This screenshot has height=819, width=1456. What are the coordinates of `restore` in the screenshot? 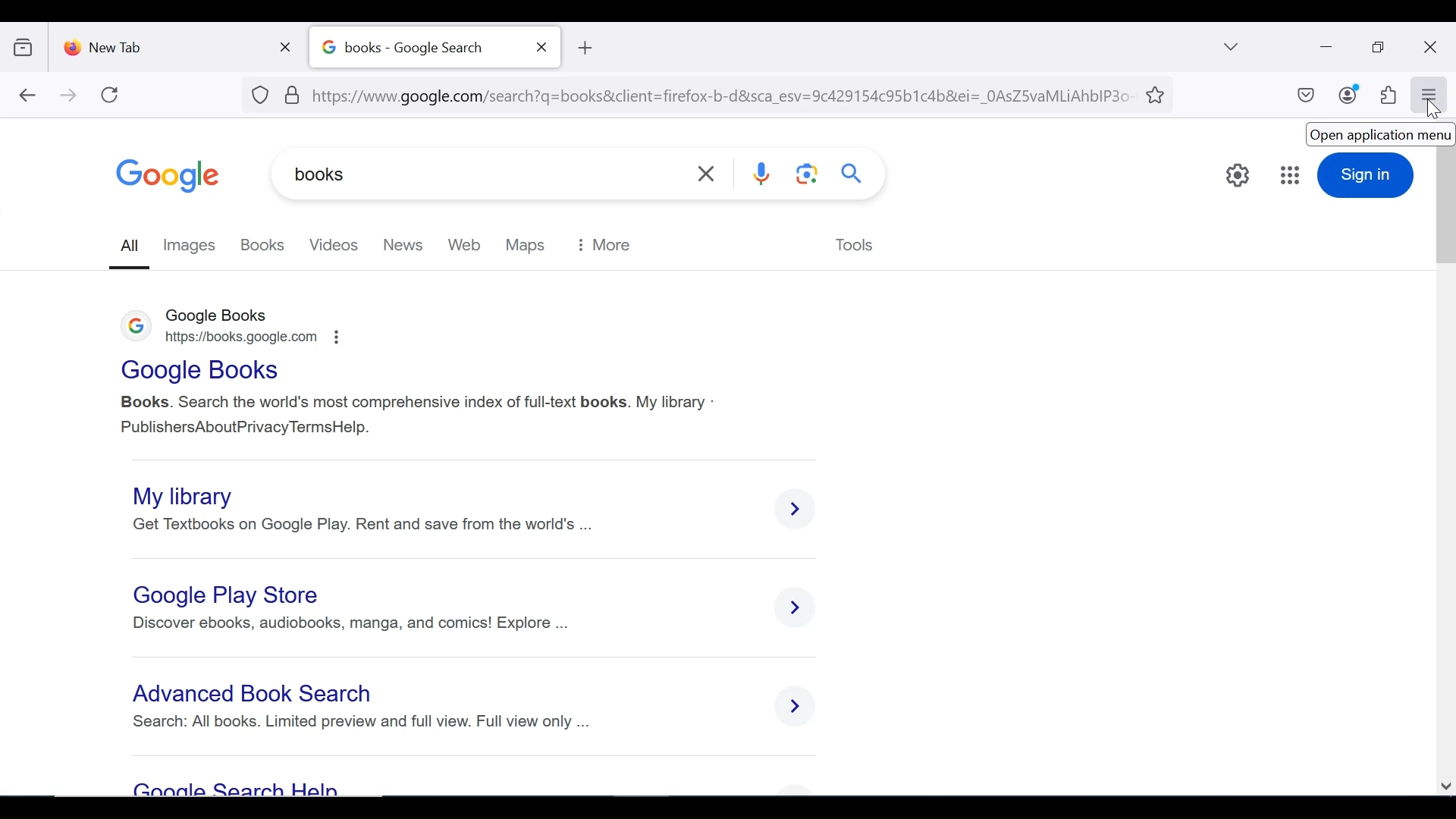 It's located at (1380, 48).